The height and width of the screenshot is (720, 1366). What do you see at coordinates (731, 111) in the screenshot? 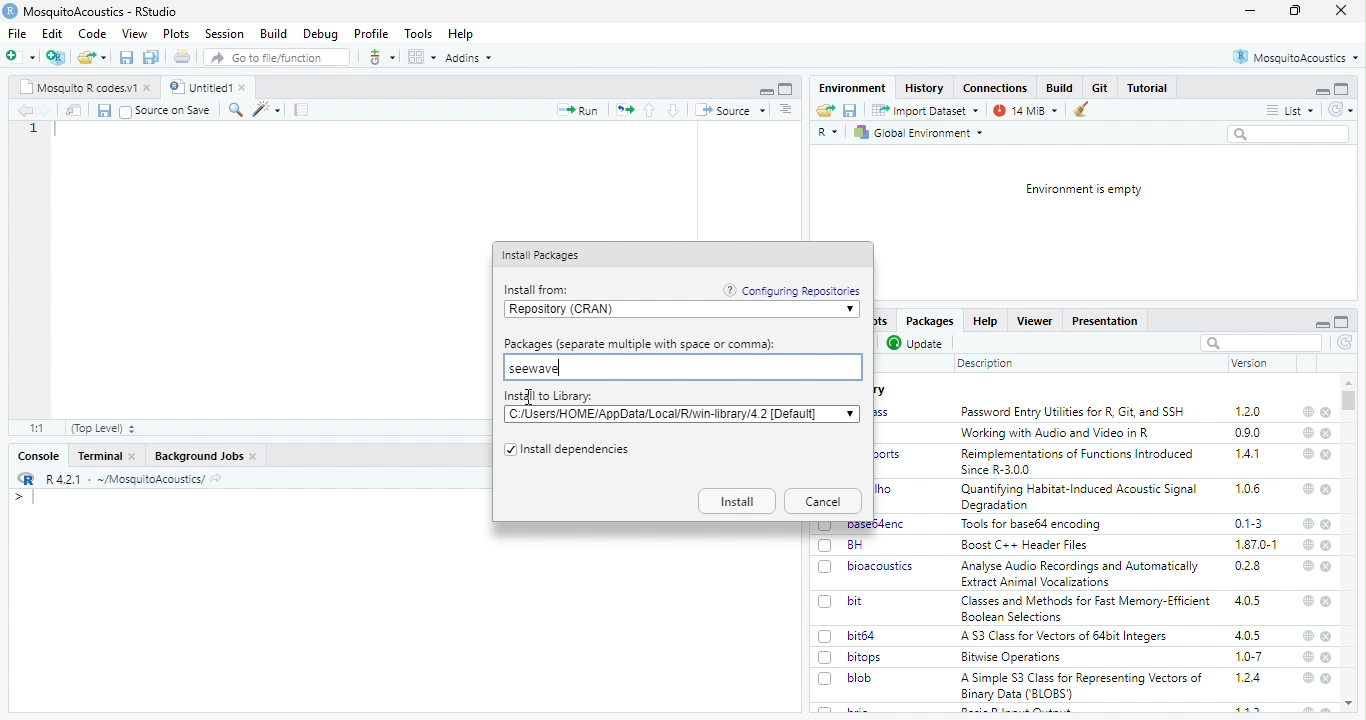
I see `Source` at bounding box center [731, 111].